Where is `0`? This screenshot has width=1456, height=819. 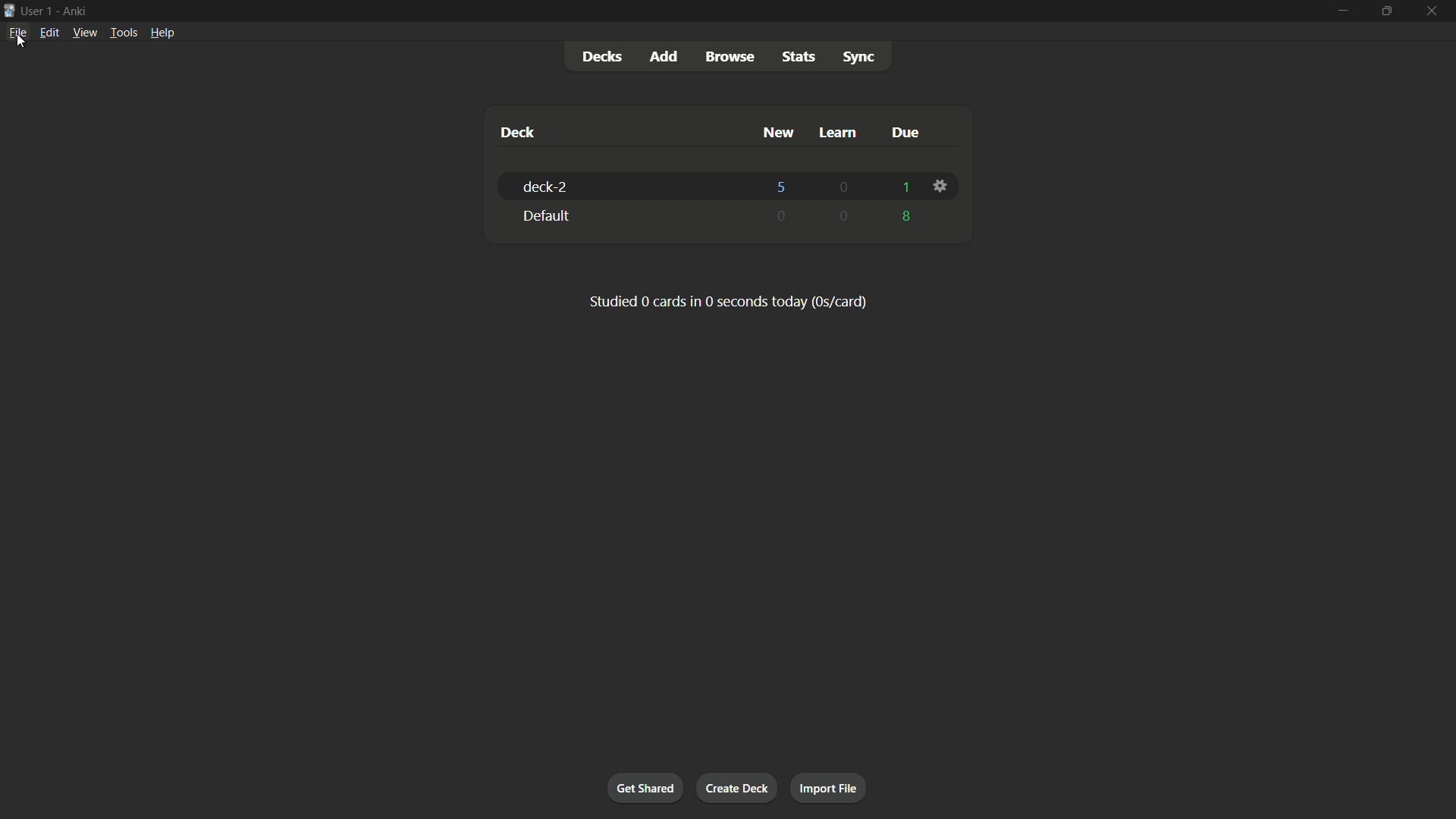 0 is located at coordinates (844, 216).